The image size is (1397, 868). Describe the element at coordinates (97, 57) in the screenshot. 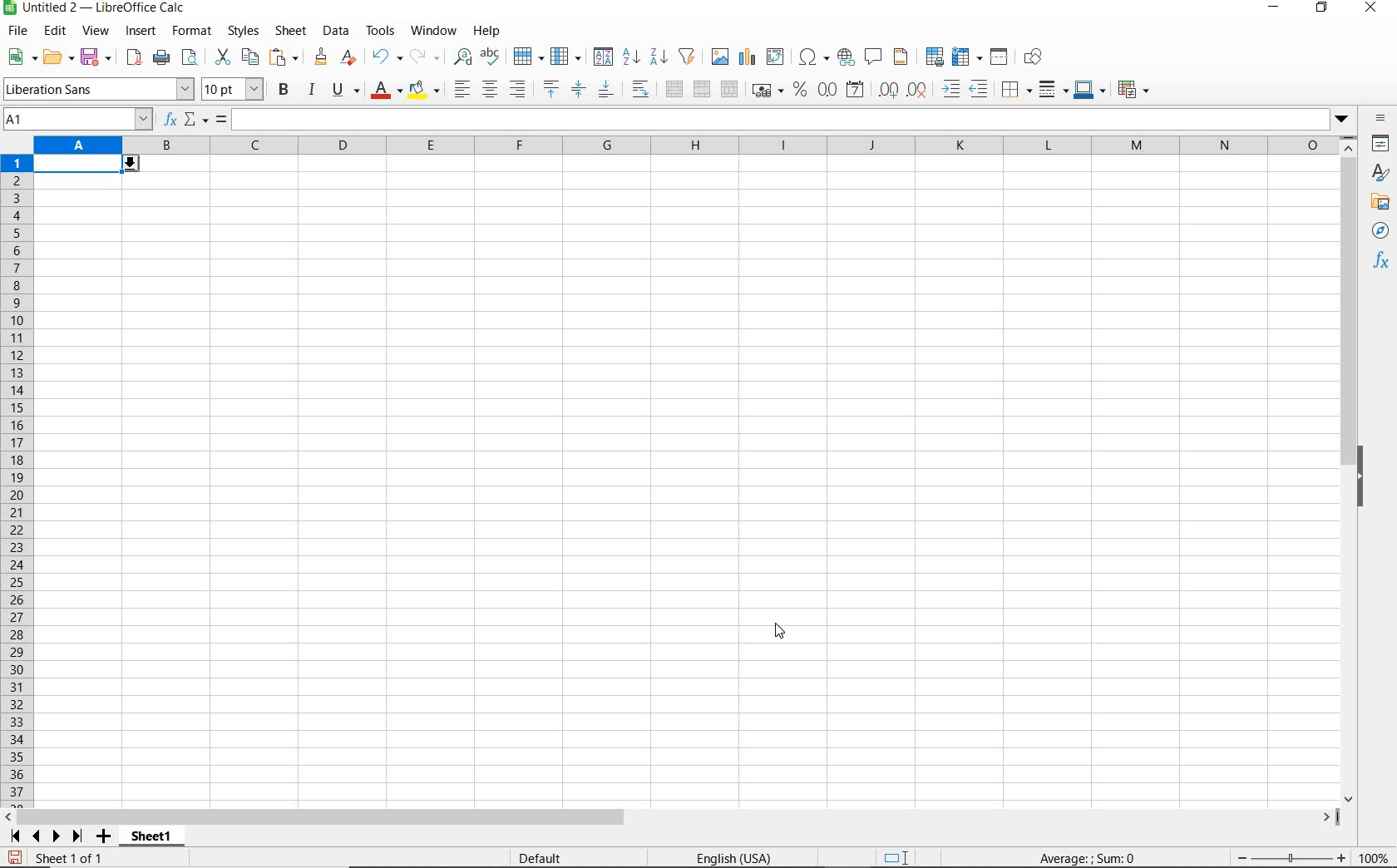

I see `save` at that location.